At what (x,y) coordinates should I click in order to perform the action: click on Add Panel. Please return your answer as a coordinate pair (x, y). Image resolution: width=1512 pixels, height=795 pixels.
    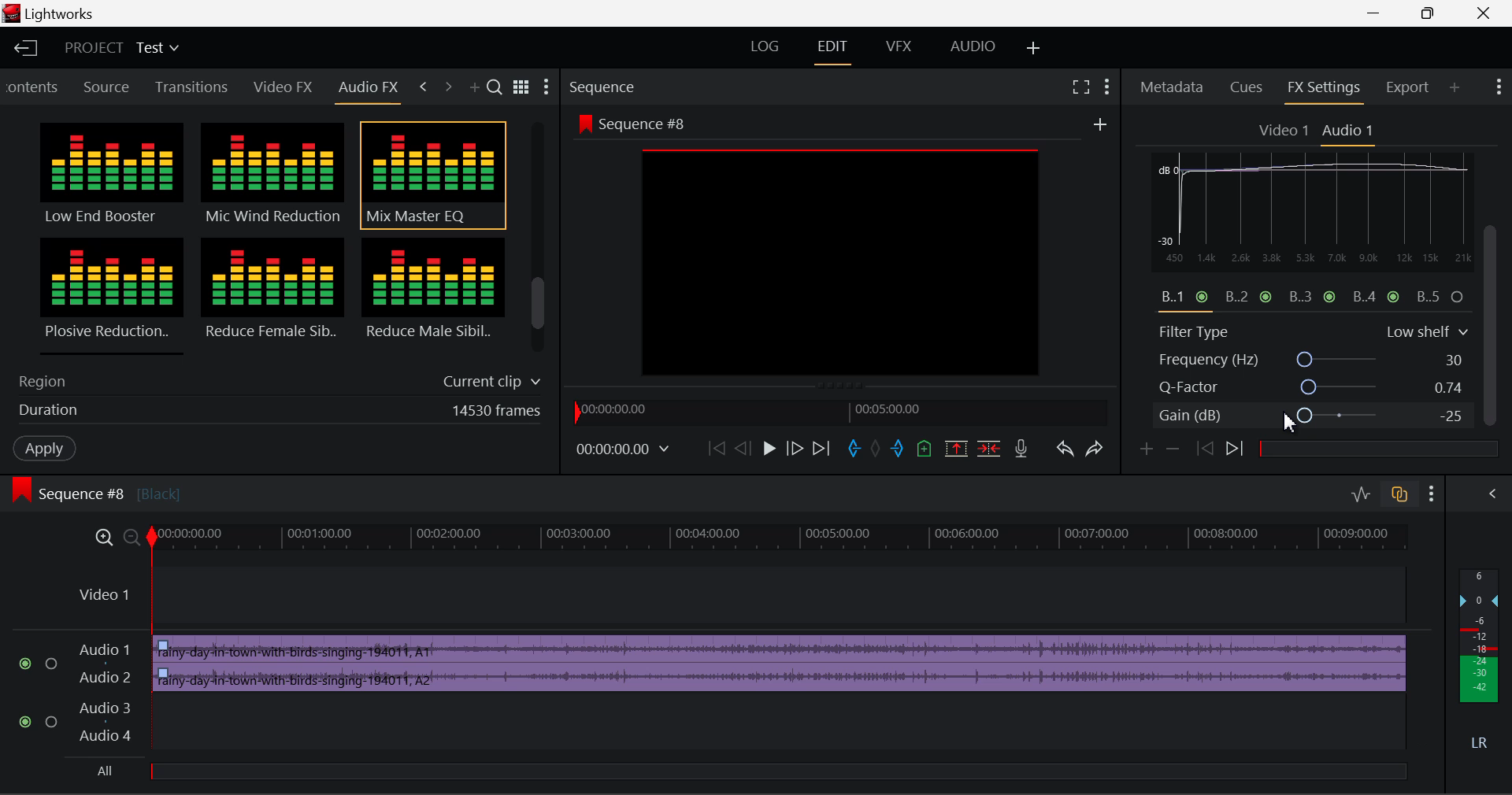
    Looking at the image, I should click on (476, 89).